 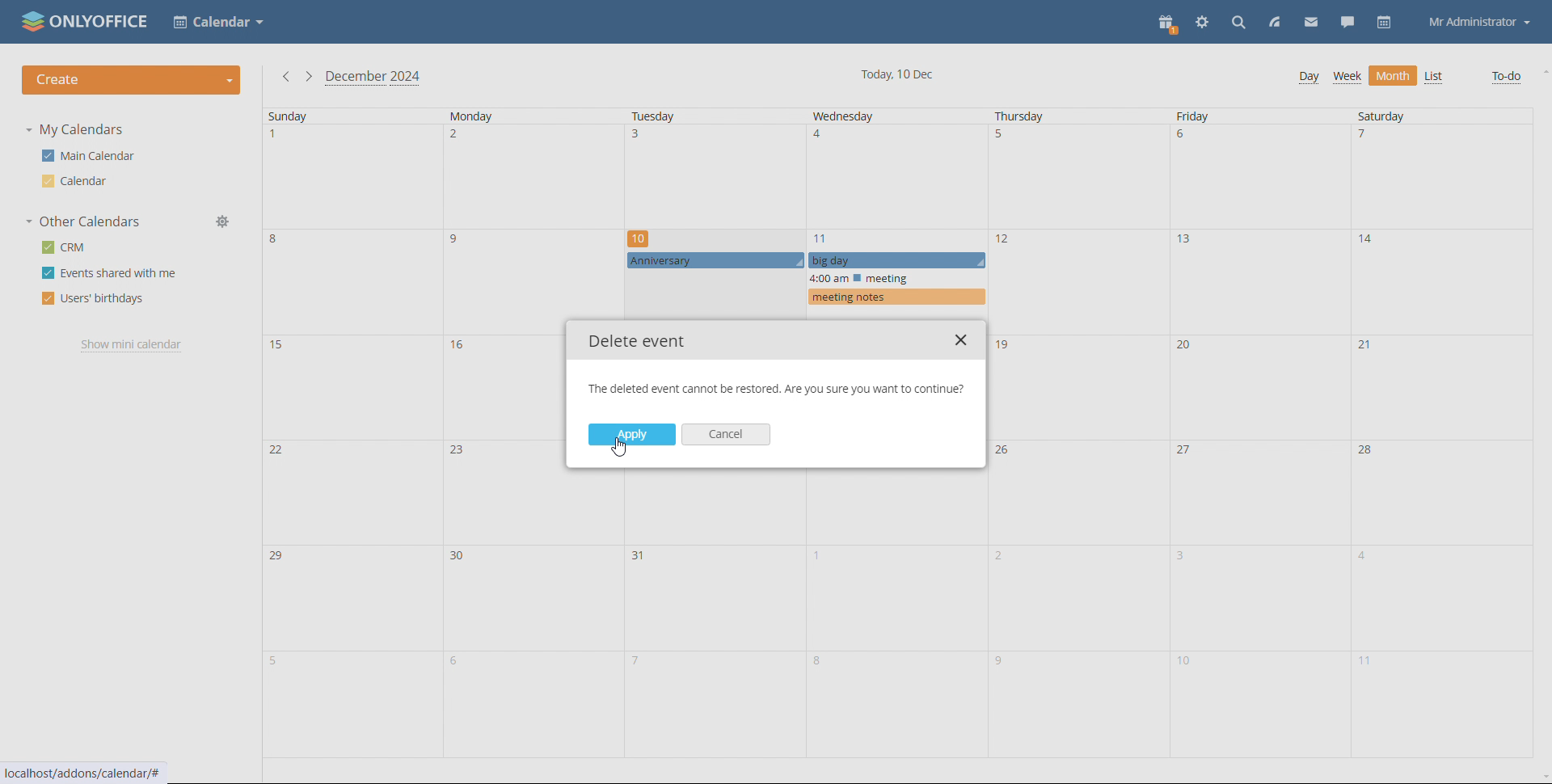 I want to click on to-do, so click(x=1504, y=77).